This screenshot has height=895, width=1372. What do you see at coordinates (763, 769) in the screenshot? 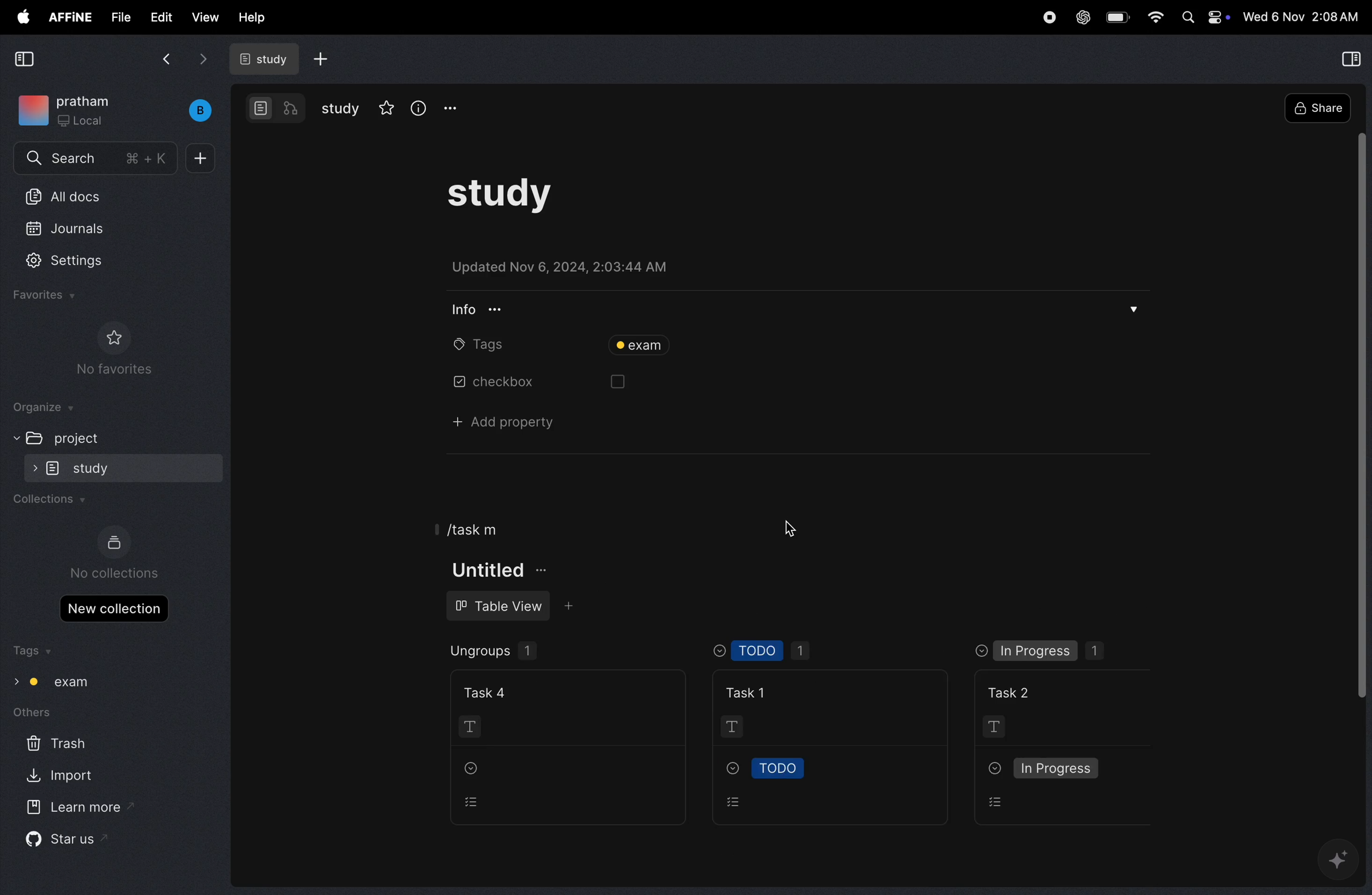
I see `todo` at bounding box center [763, 769].